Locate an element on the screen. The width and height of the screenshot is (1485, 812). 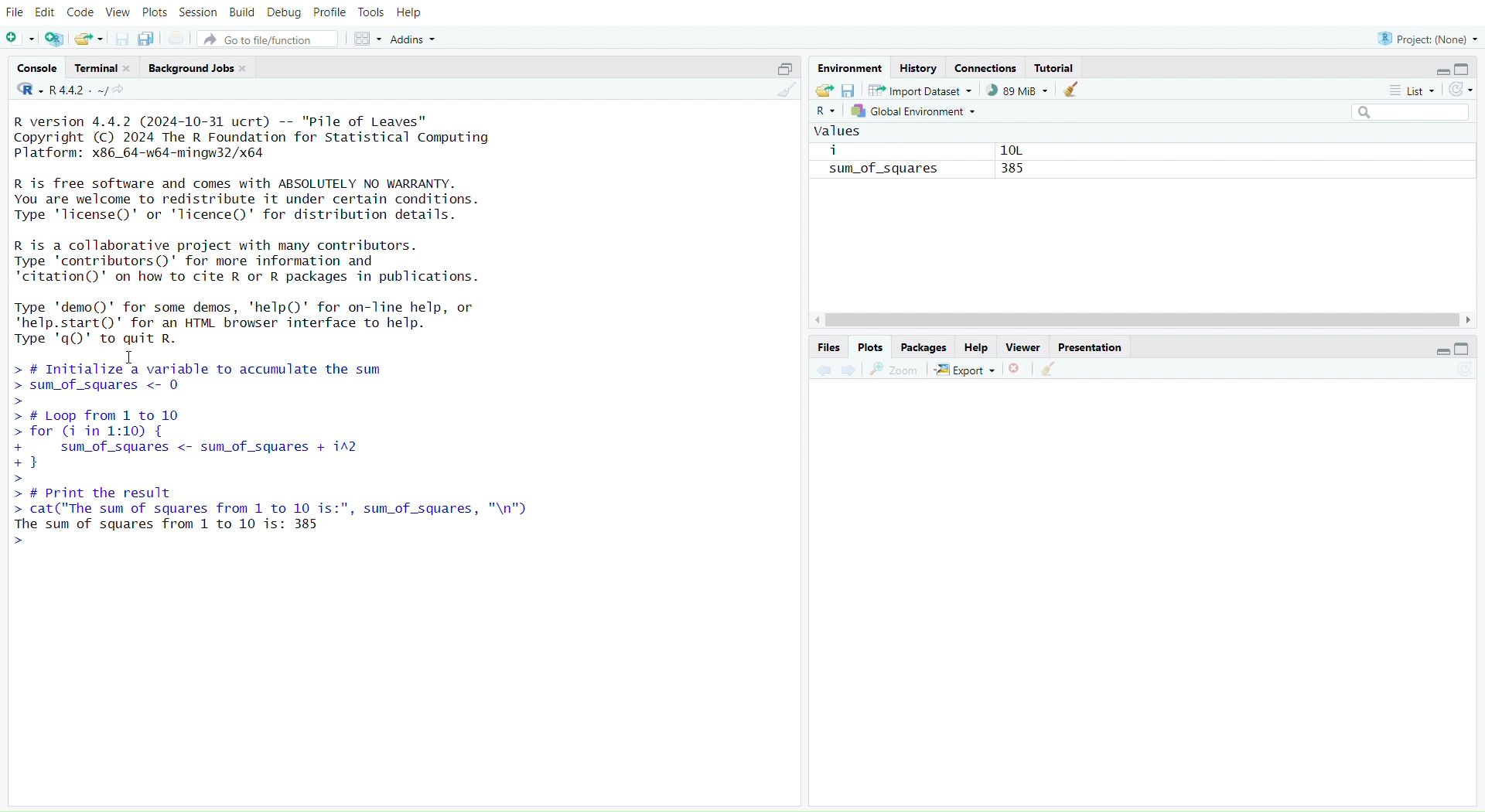
tutorial is located at coordinates (1056, 69).